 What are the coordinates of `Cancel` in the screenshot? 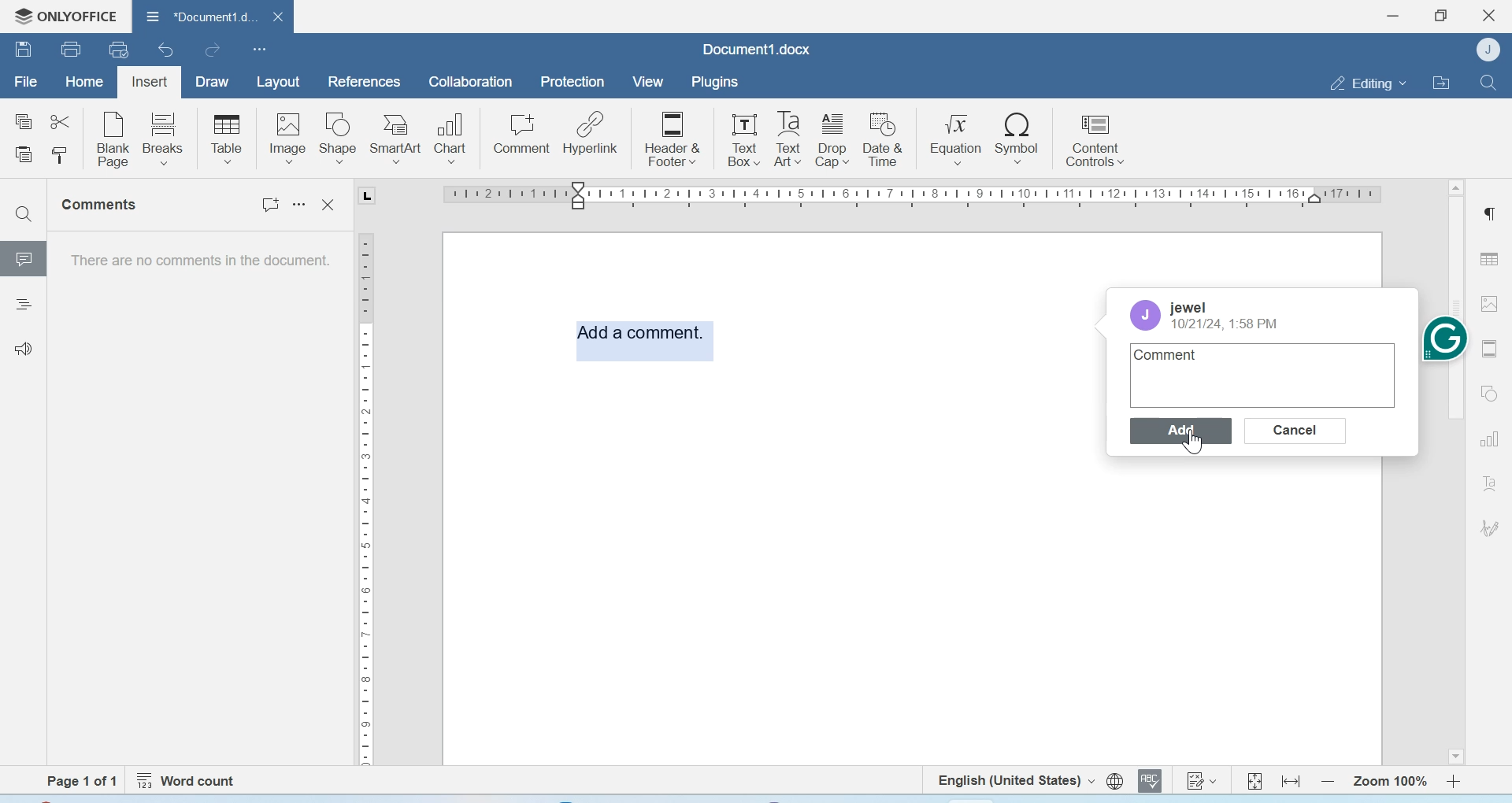 It's located at (1297, 431).